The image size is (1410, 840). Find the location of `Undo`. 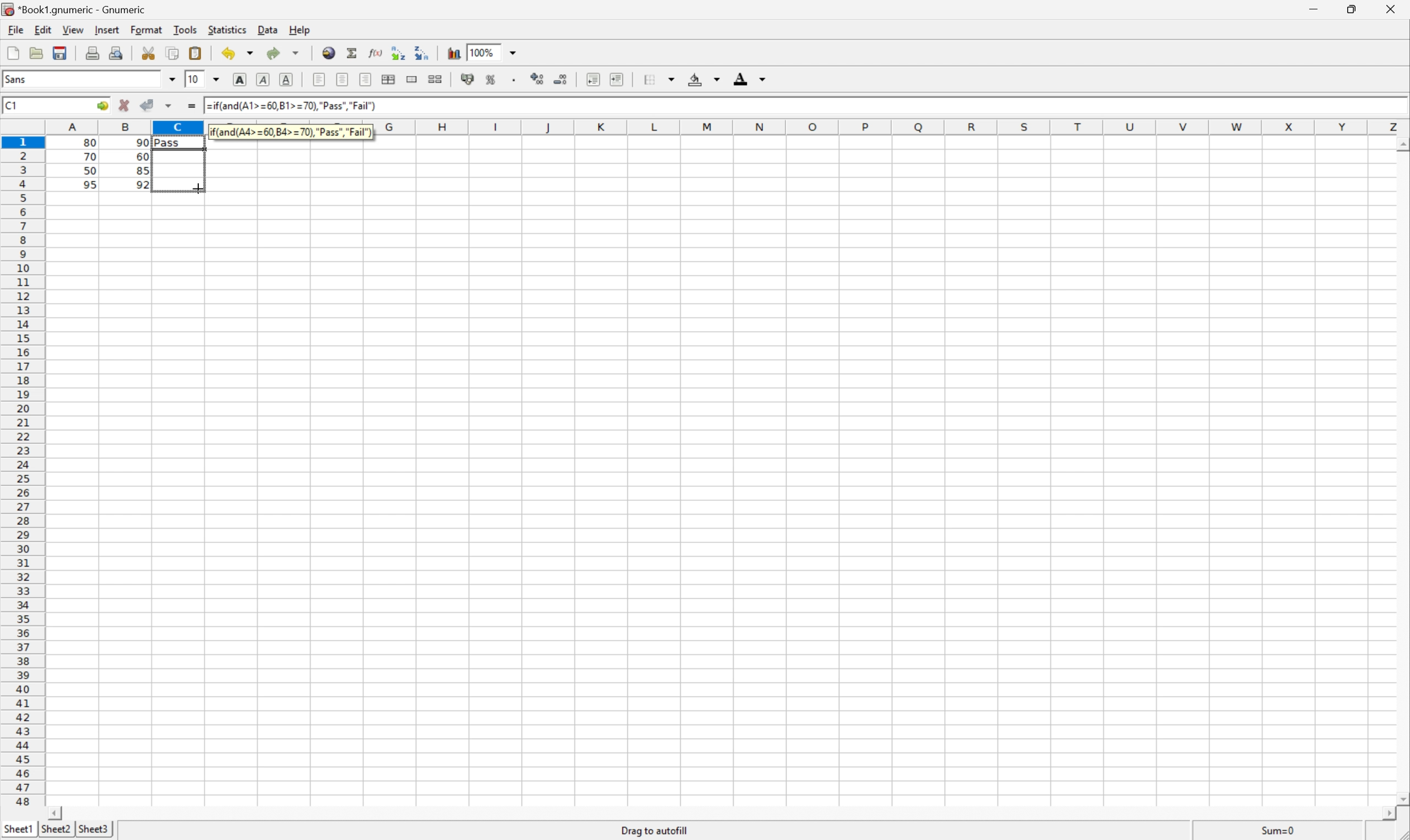

Undo is located at coordinates (228, 54).